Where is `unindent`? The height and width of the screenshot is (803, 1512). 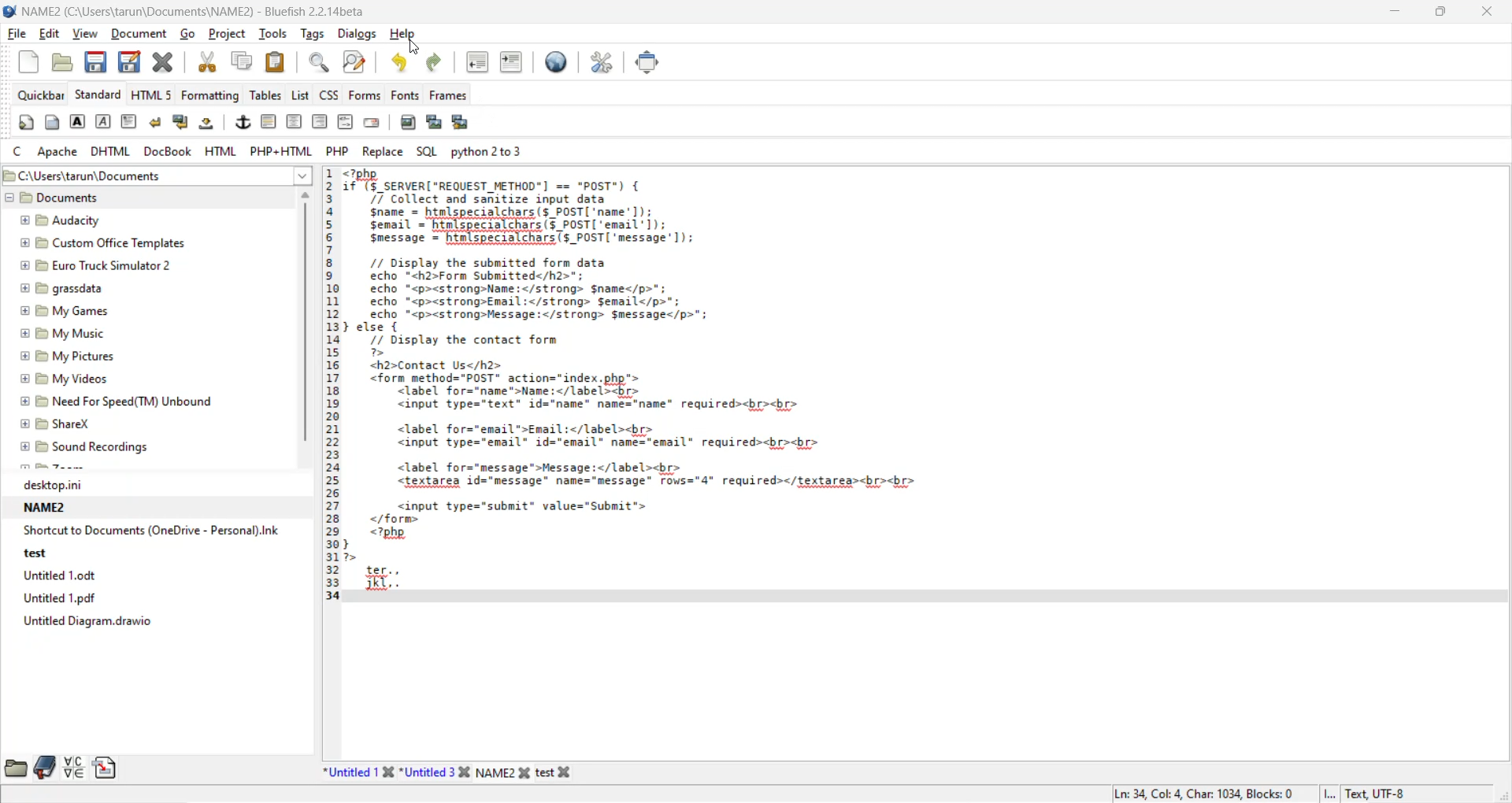 unindent is located at coordinates (478, 64).